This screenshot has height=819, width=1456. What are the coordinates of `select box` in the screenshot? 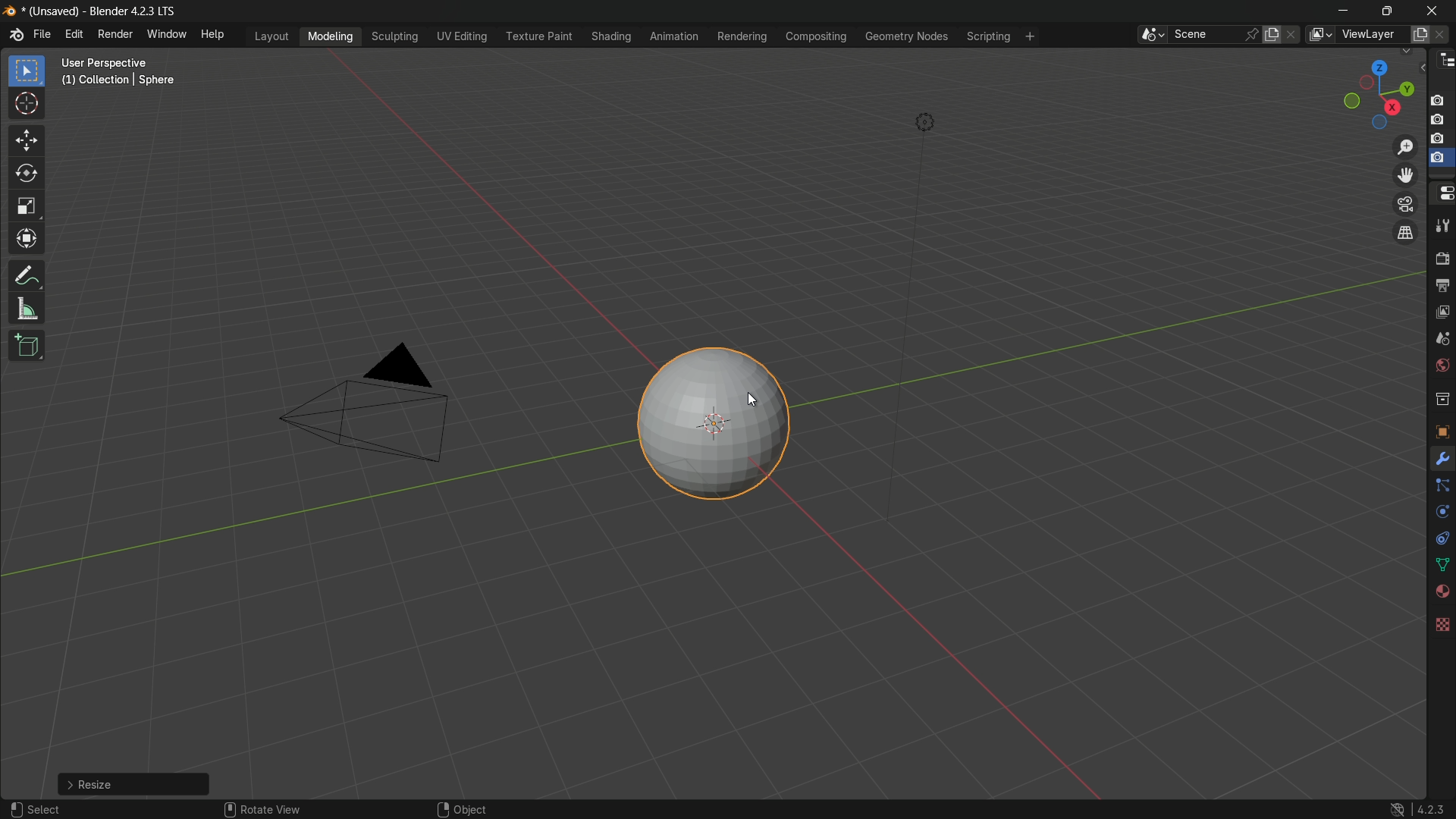 It's located at (25, 71).